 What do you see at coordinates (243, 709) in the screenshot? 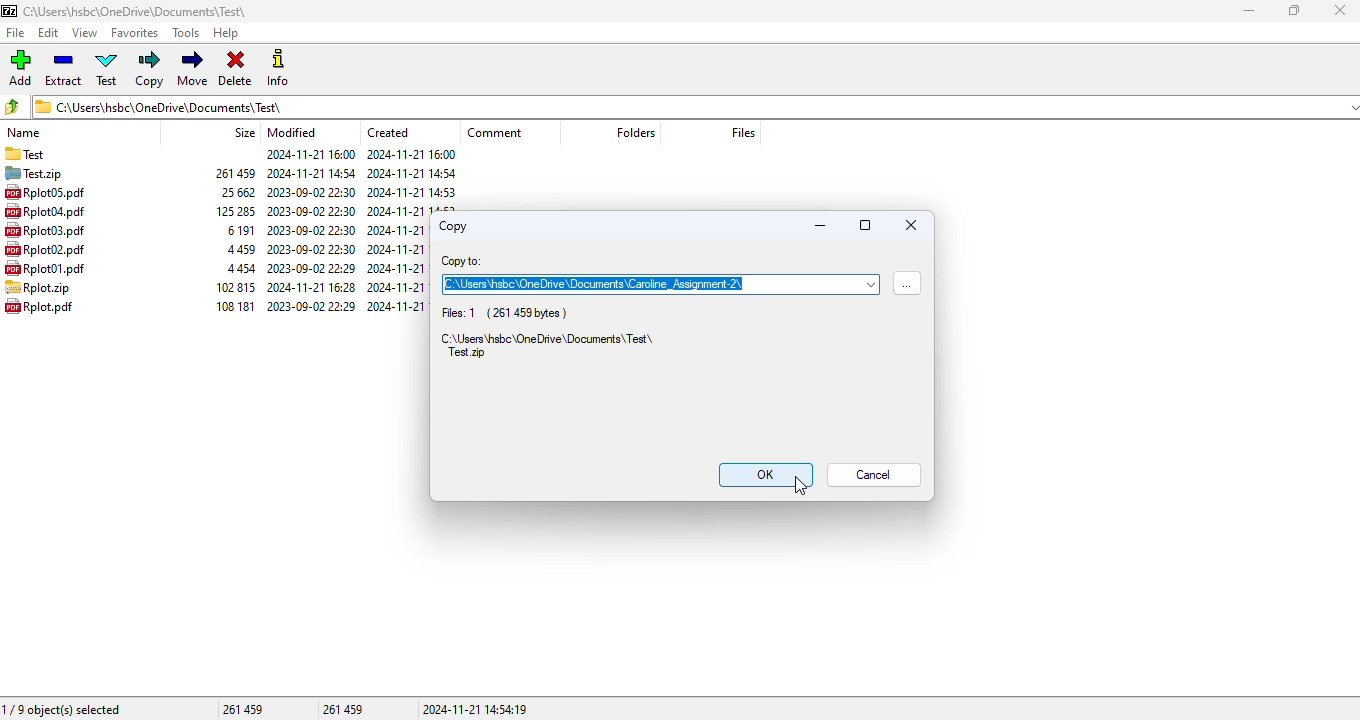
I see `261 459` at bounding box center [243, 709].